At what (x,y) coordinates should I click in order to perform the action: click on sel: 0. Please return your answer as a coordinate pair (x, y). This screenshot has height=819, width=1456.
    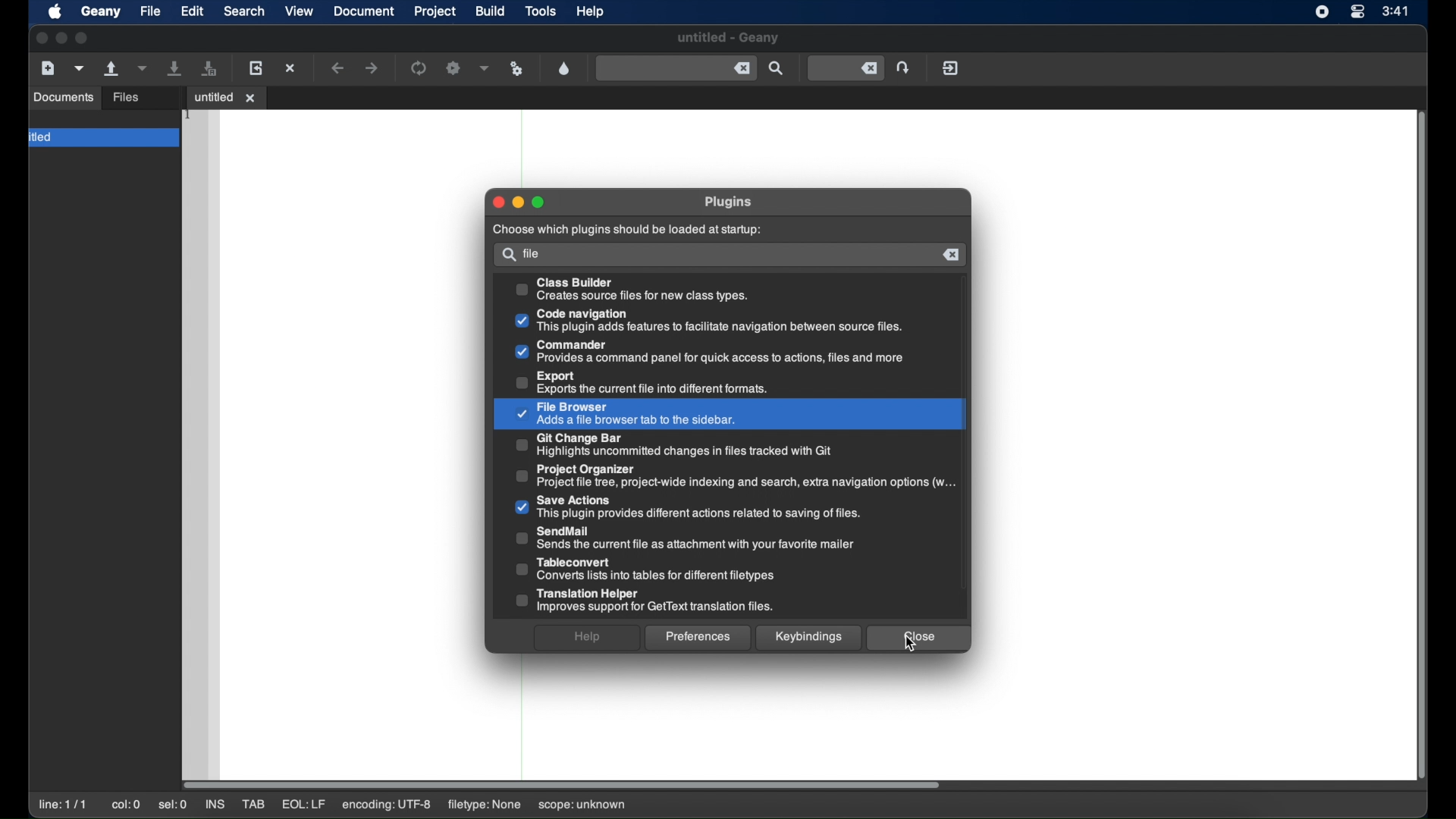
    Looking at the image, I should click on (173, 805).